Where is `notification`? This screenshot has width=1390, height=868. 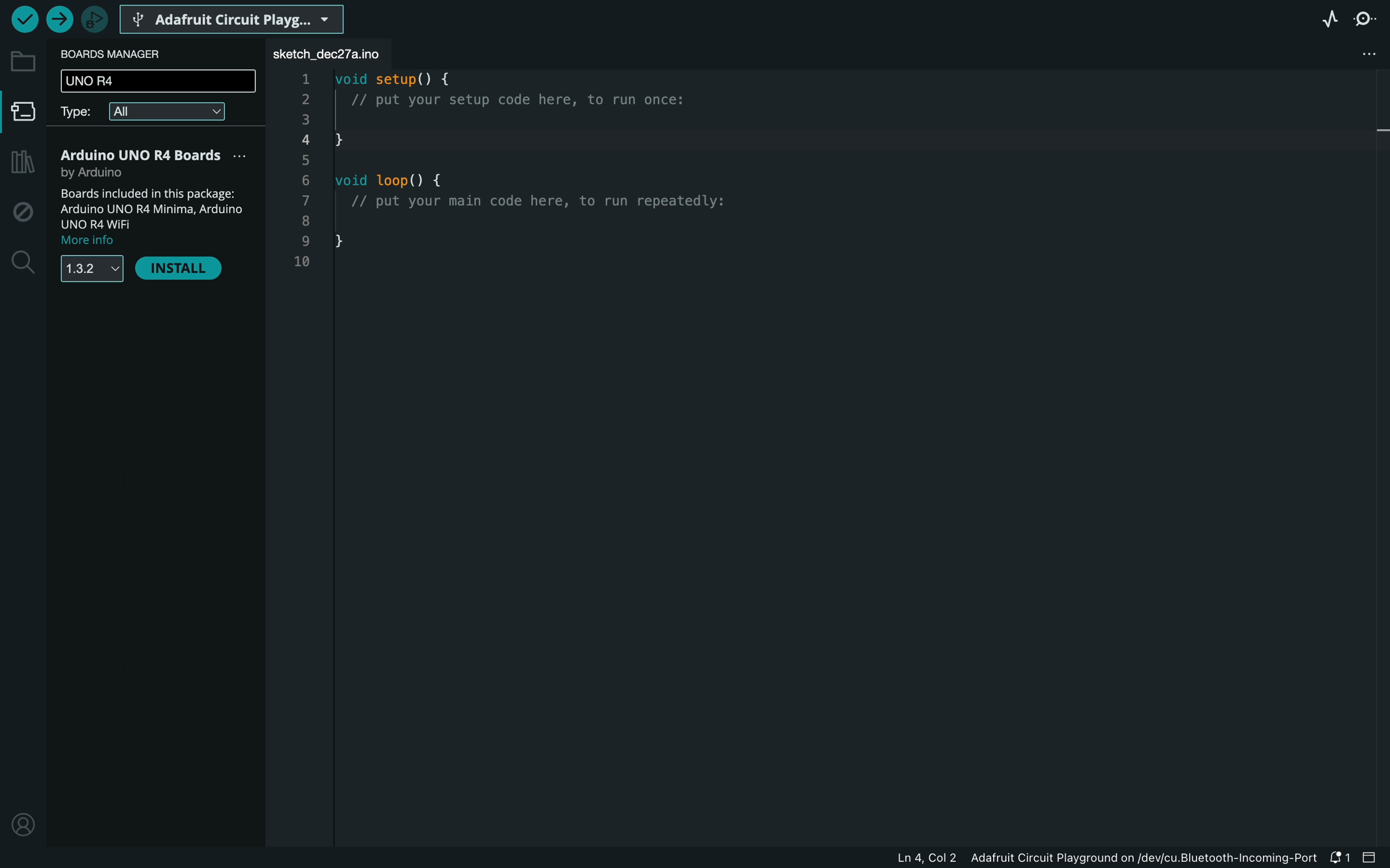 notification is located at coordinates (1340, 859).